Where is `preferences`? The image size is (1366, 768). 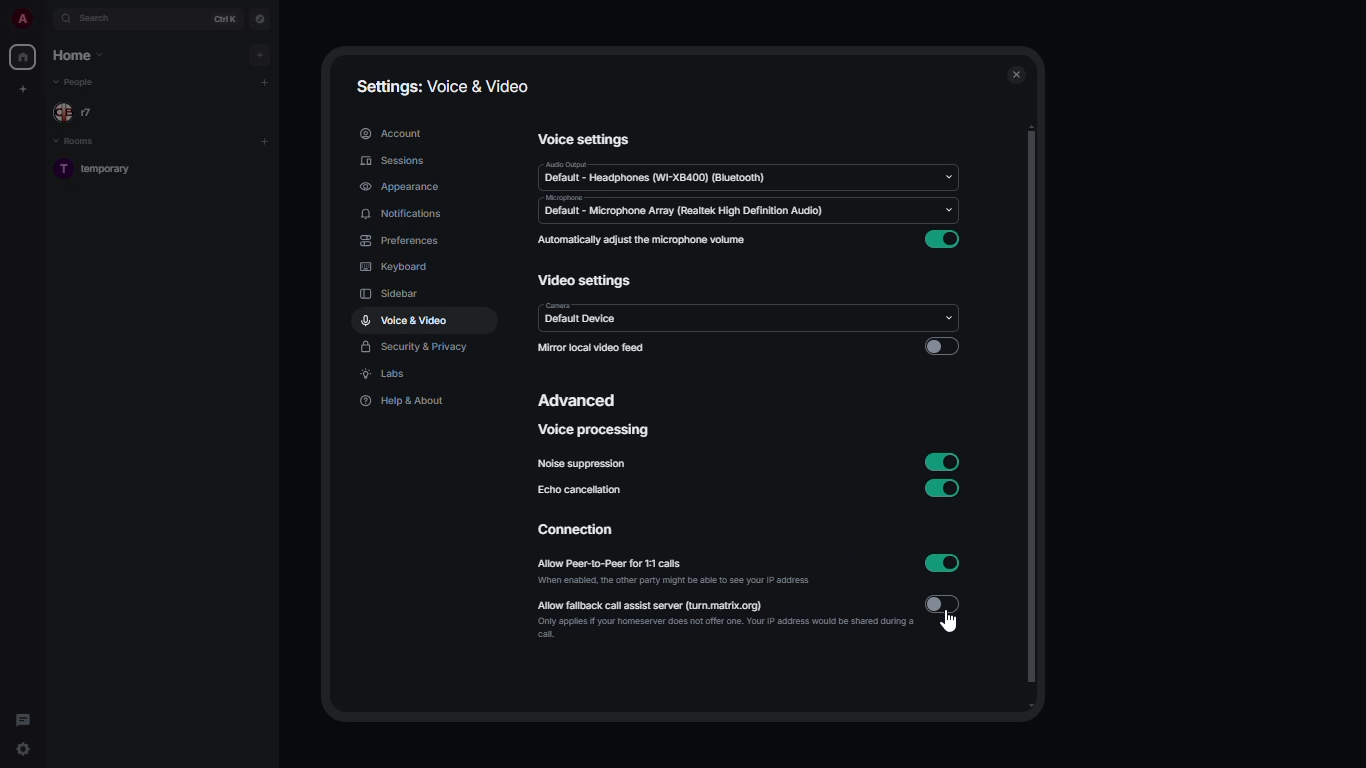
preferences is located at coordinates (405, 240).